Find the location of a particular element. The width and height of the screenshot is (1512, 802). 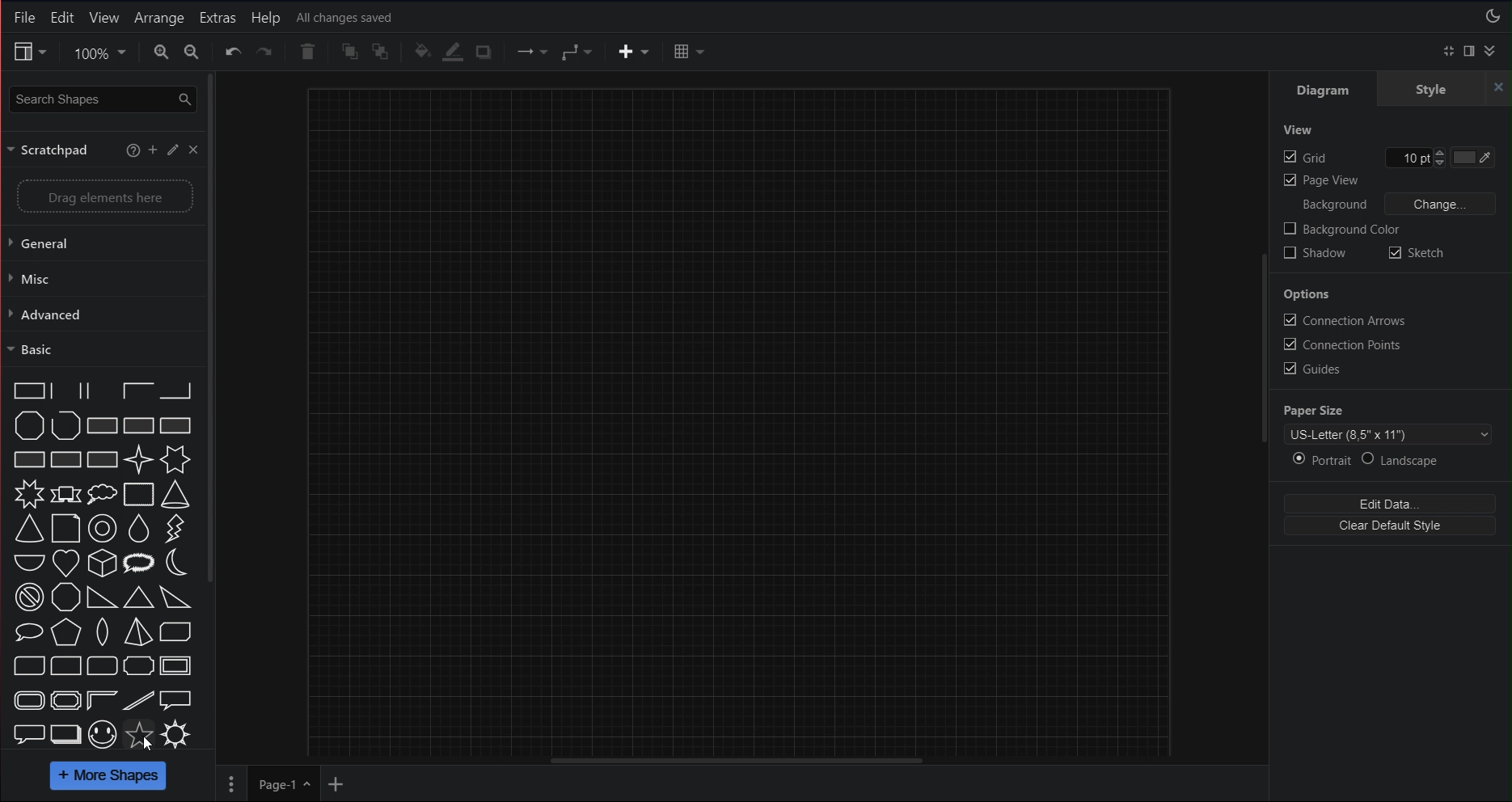

Change is located at coordinates (1441, 204).